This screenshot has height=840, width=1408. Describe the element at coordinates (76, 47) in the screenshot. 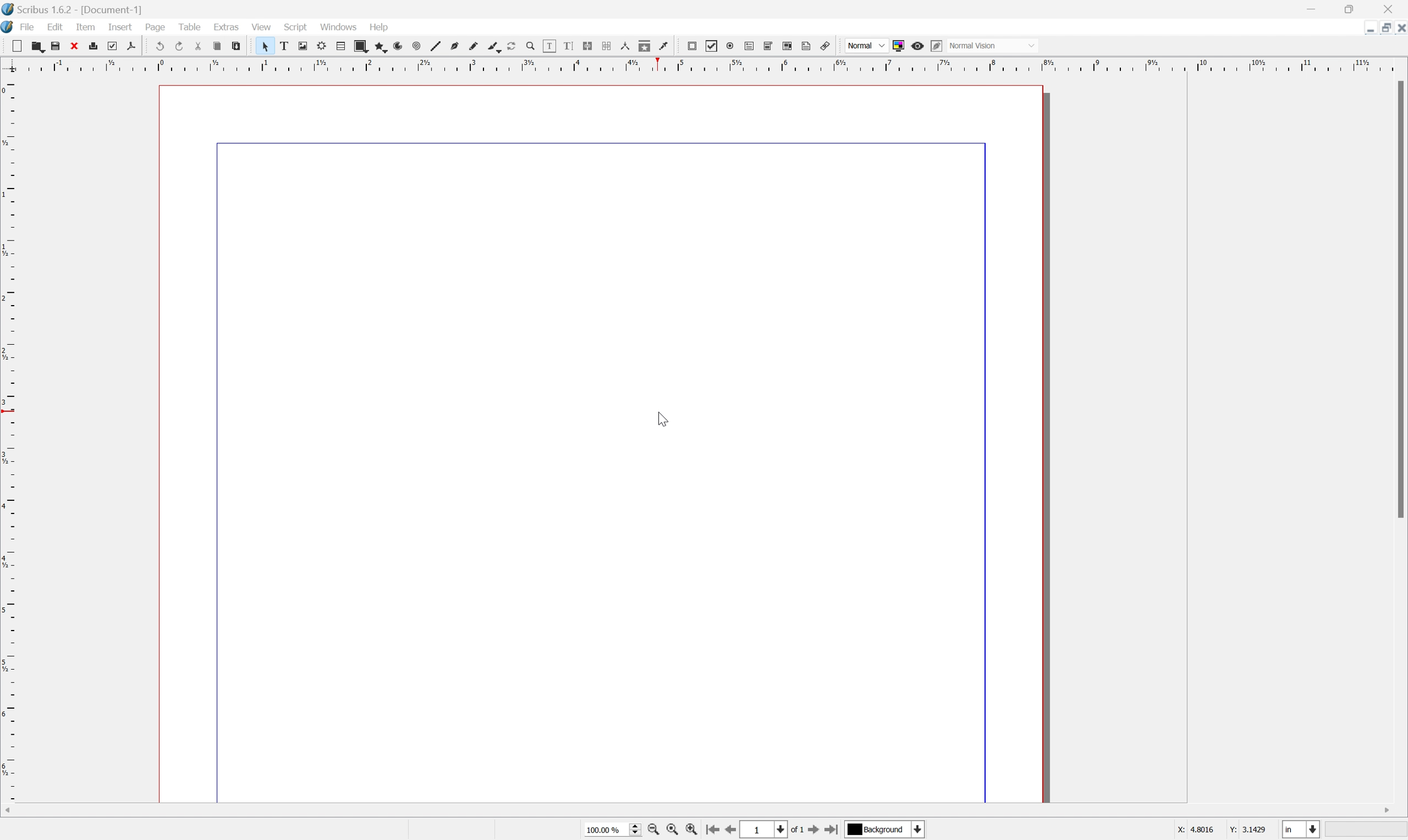

I see `close` at that location.